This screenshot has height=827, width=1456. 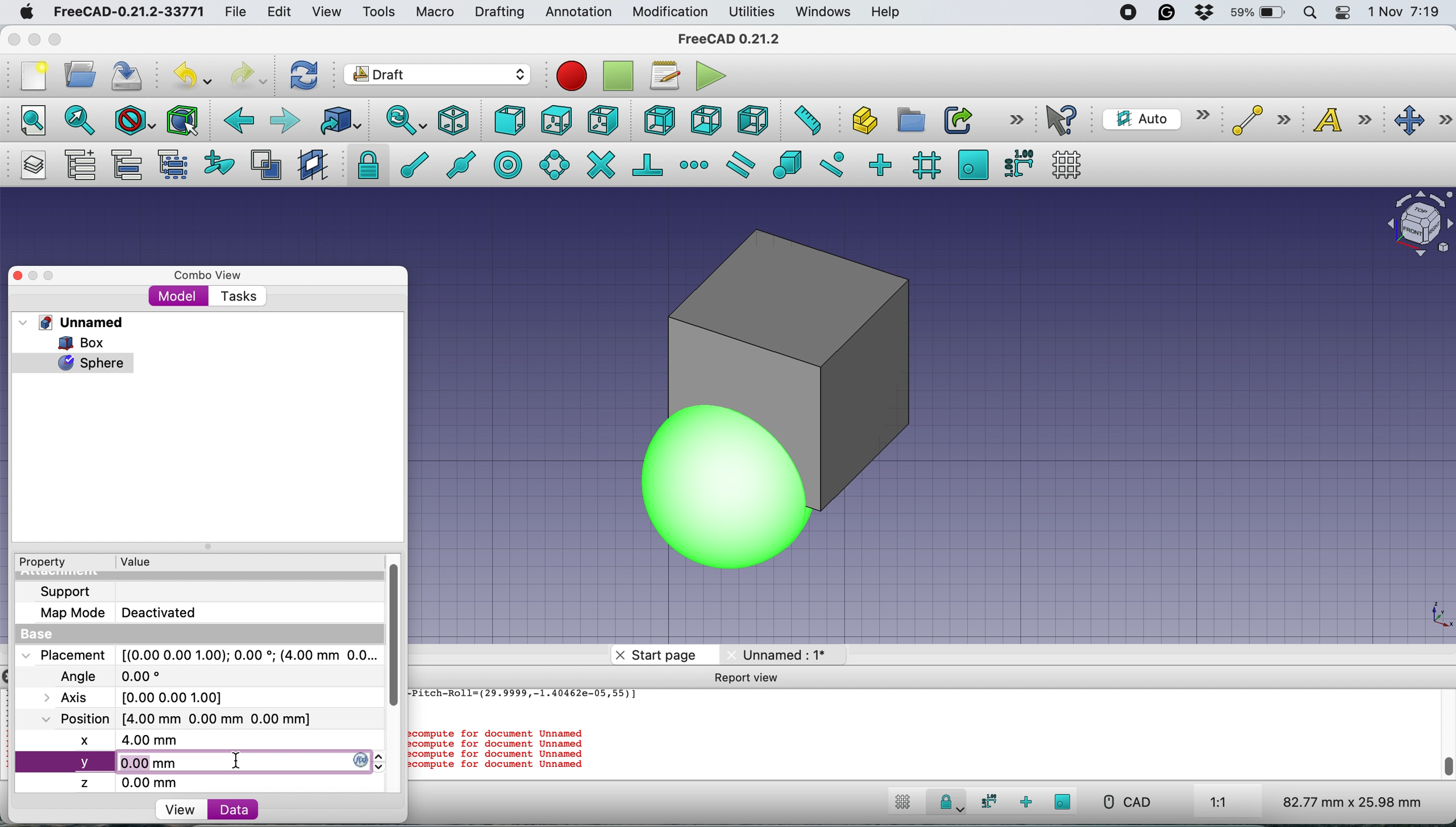 What do you see at coordinates (1063, 801) in the screenshot?
I see `snap working plane` at bounding box center [1063, 801].